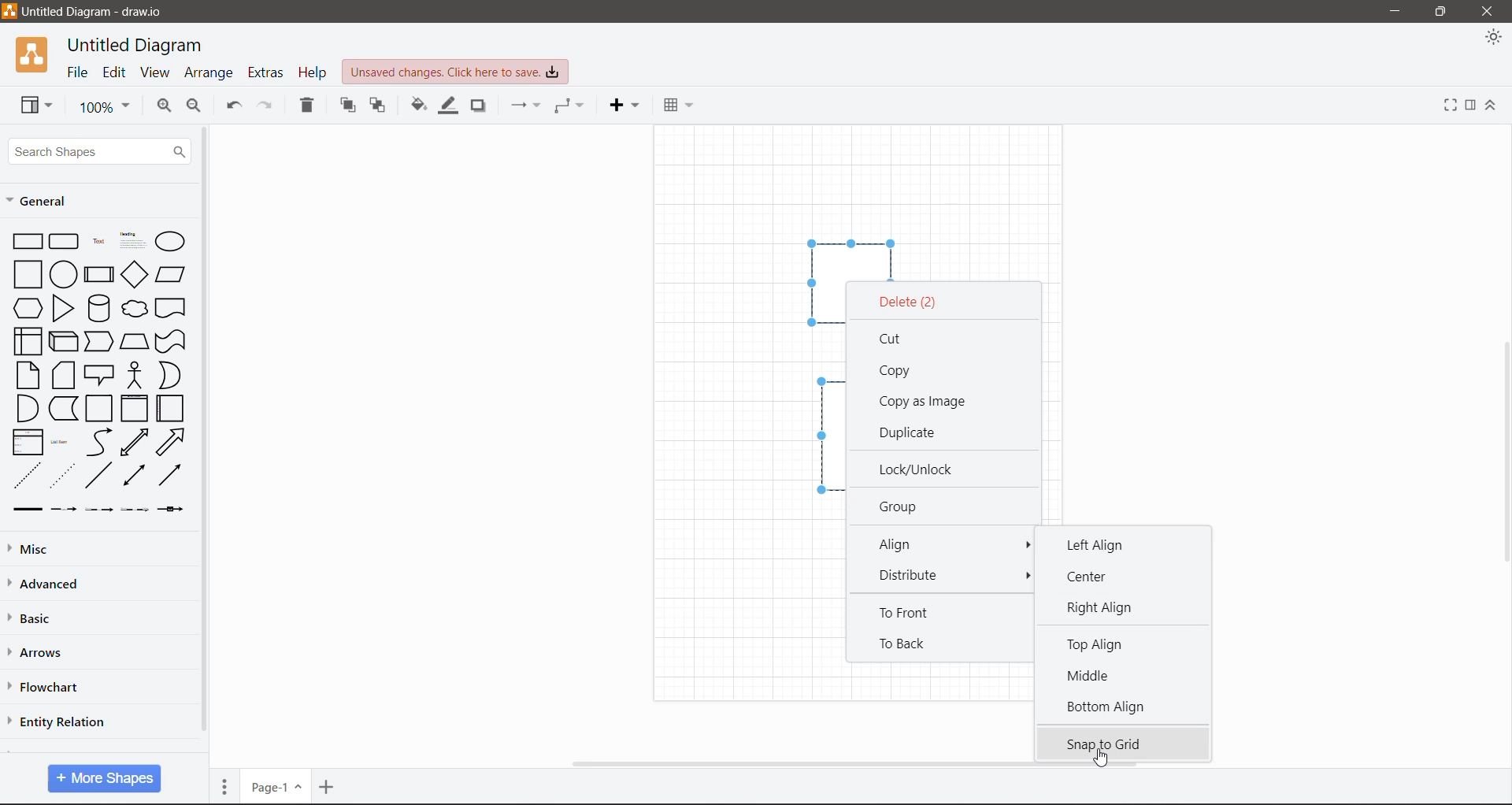  I want to click on File, so click(78, 72).